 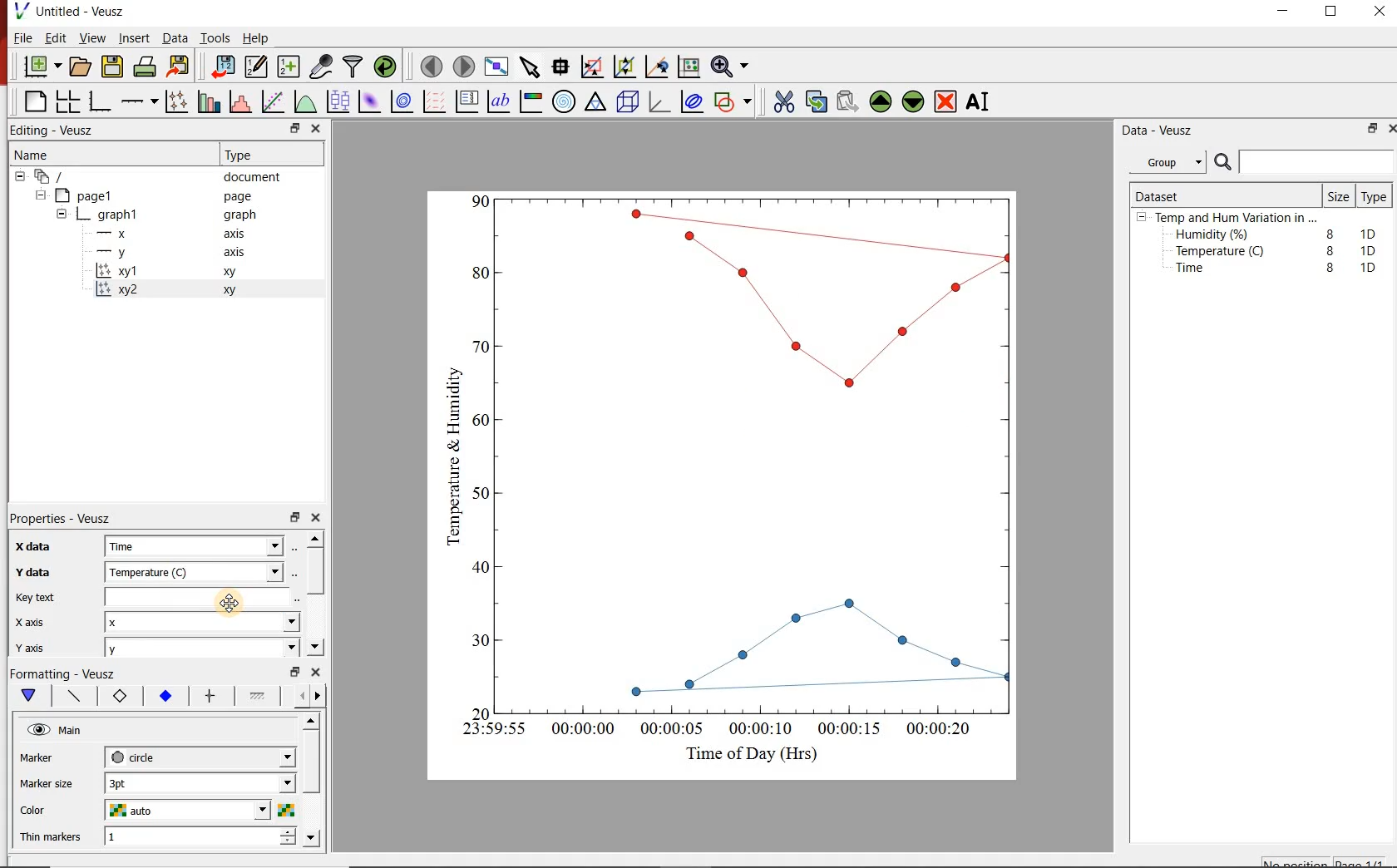 I want to click on plot a 2d dataset as an image, so click(x=370, y=102).